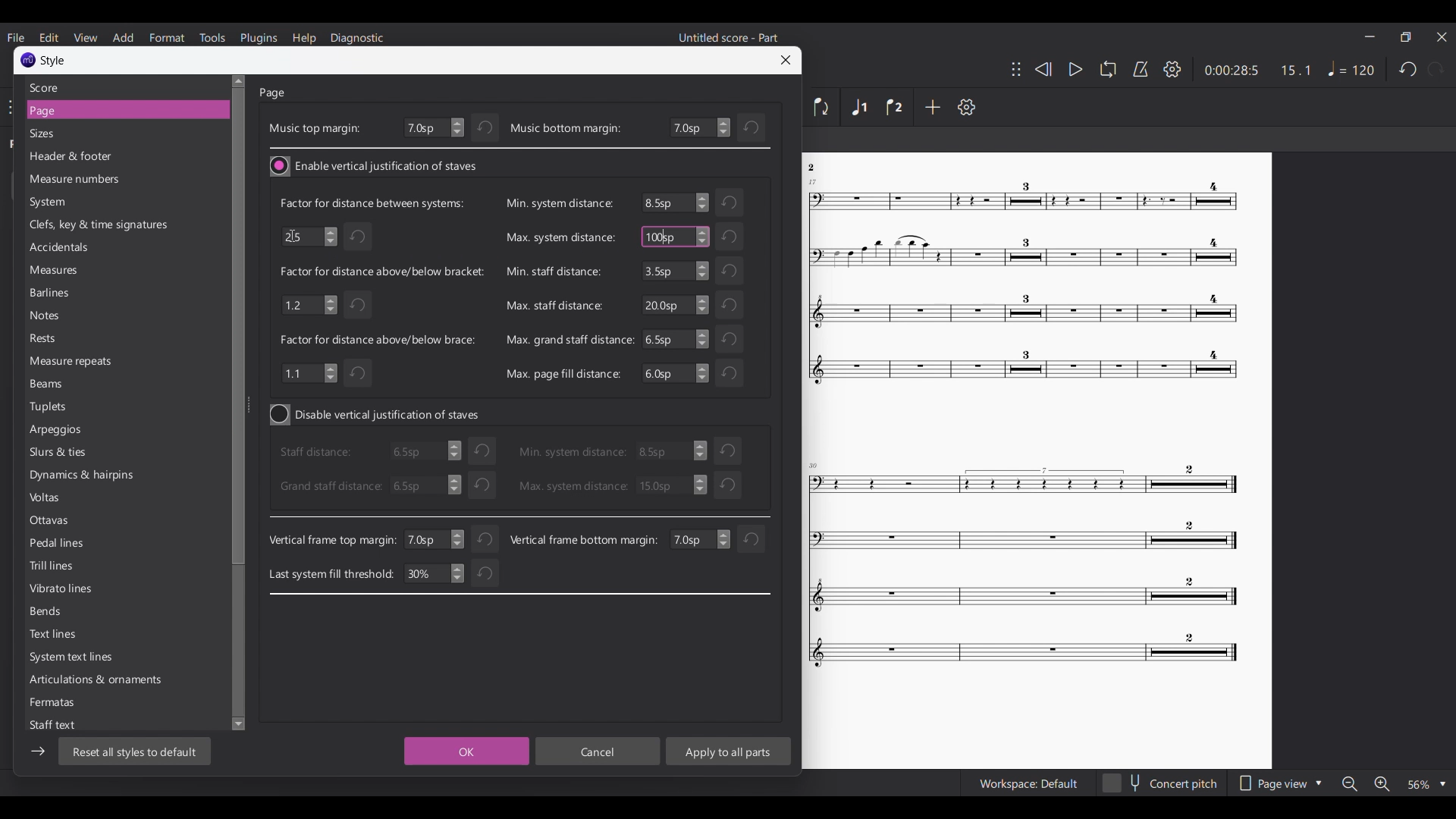 Image resolution: width=1456 pixels, height=819 pixels. I want to click on 2.5, so click(308, 235).